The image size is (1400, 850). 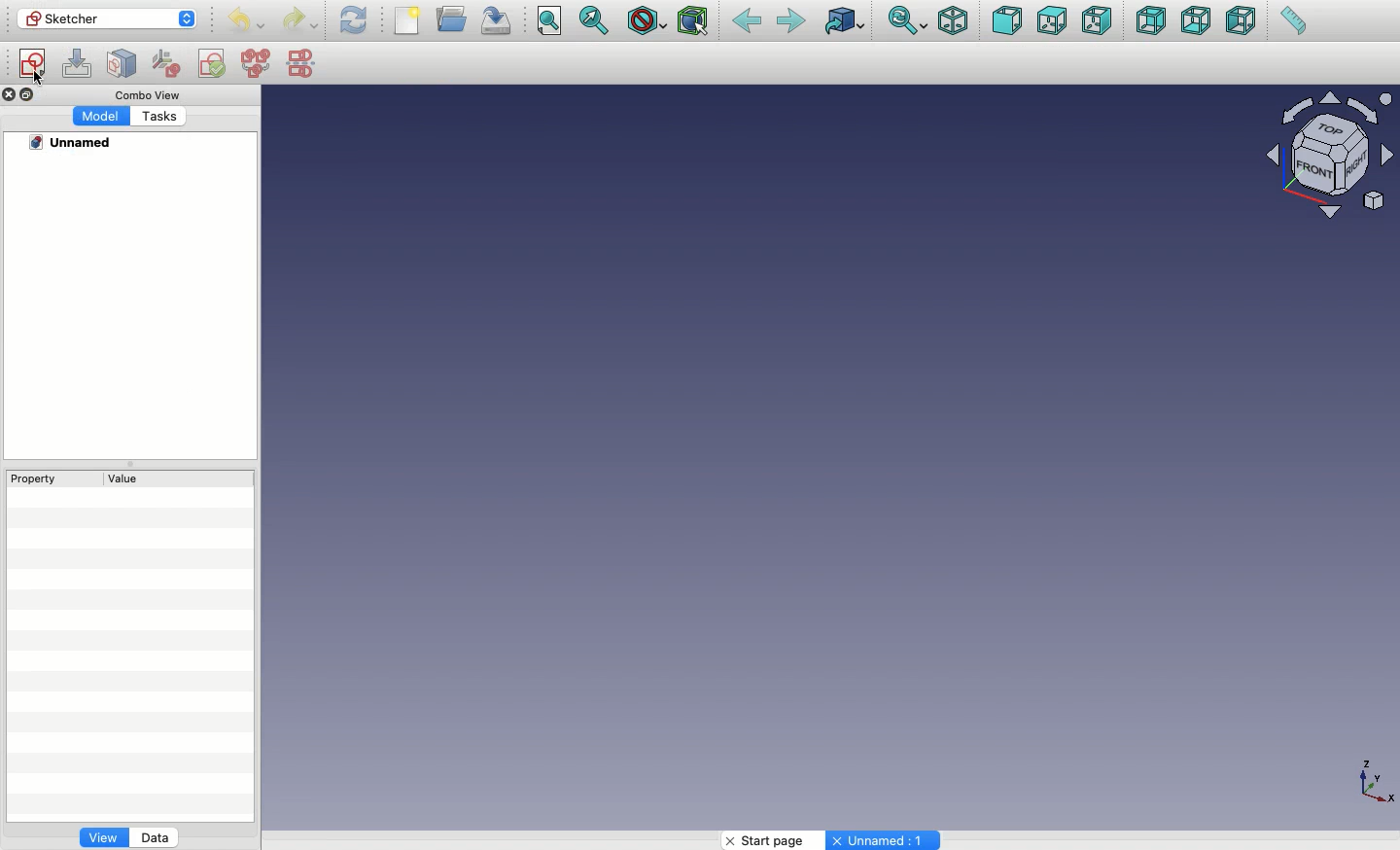 What do you see at coordinates (214, 63) in the screenshot?
I see `Validate sketch` at bounding box center [214, 63].